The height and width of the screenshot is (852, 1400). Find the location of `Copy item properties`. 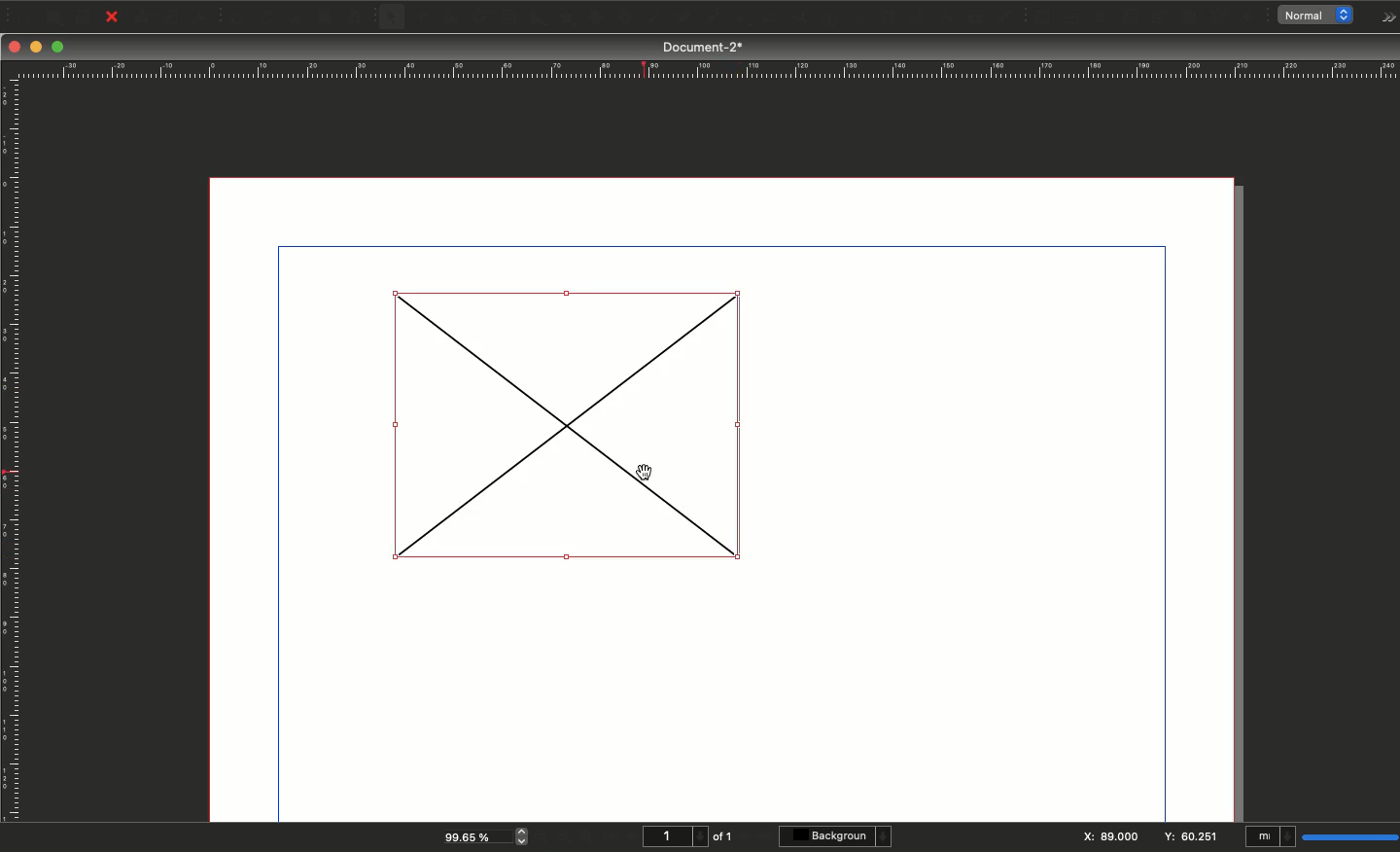

Copy item properties is located at coordinates (972, 18).